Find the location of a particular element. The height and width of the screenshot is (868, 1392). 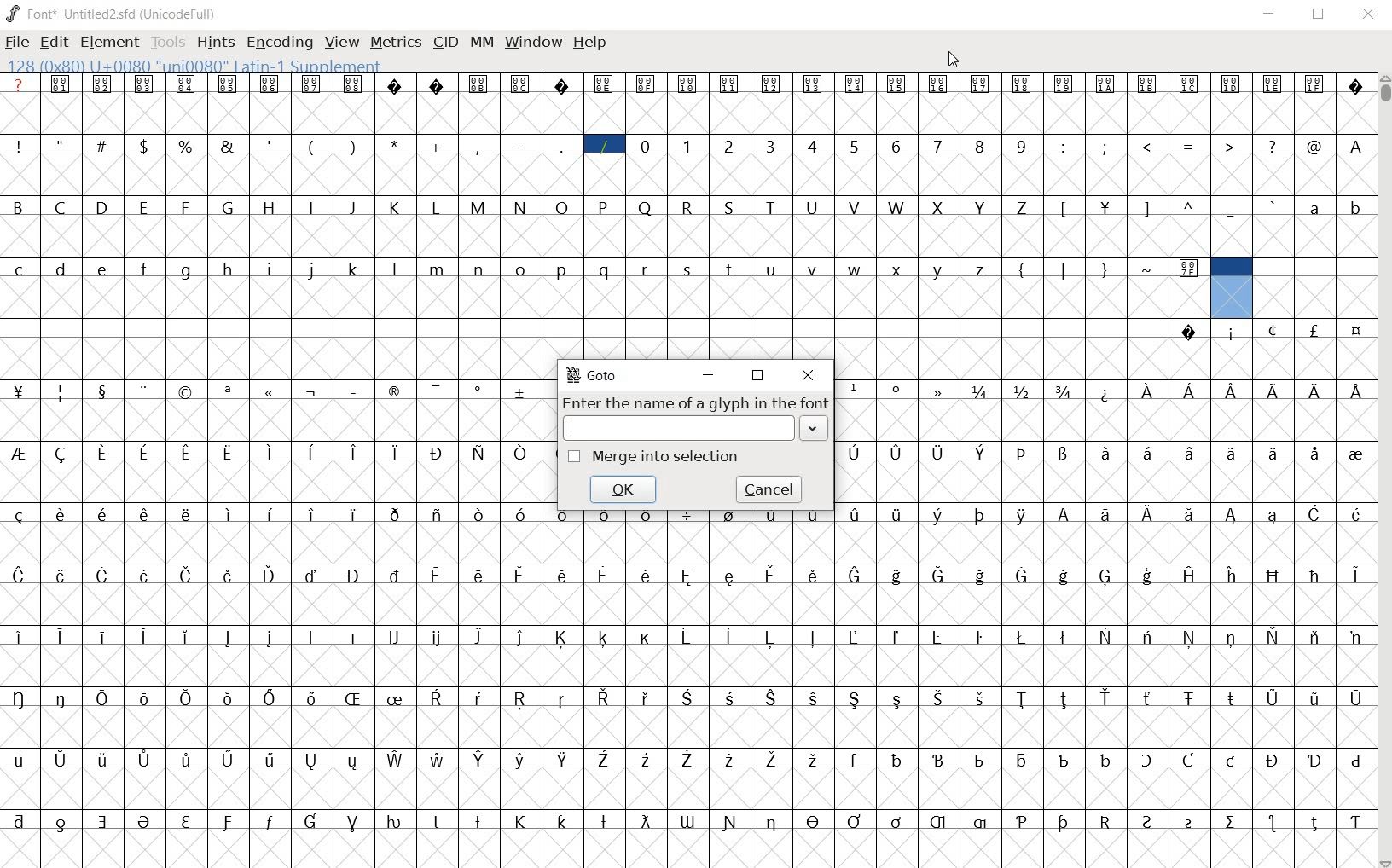

Symbol is located at coordinates (438, 575).